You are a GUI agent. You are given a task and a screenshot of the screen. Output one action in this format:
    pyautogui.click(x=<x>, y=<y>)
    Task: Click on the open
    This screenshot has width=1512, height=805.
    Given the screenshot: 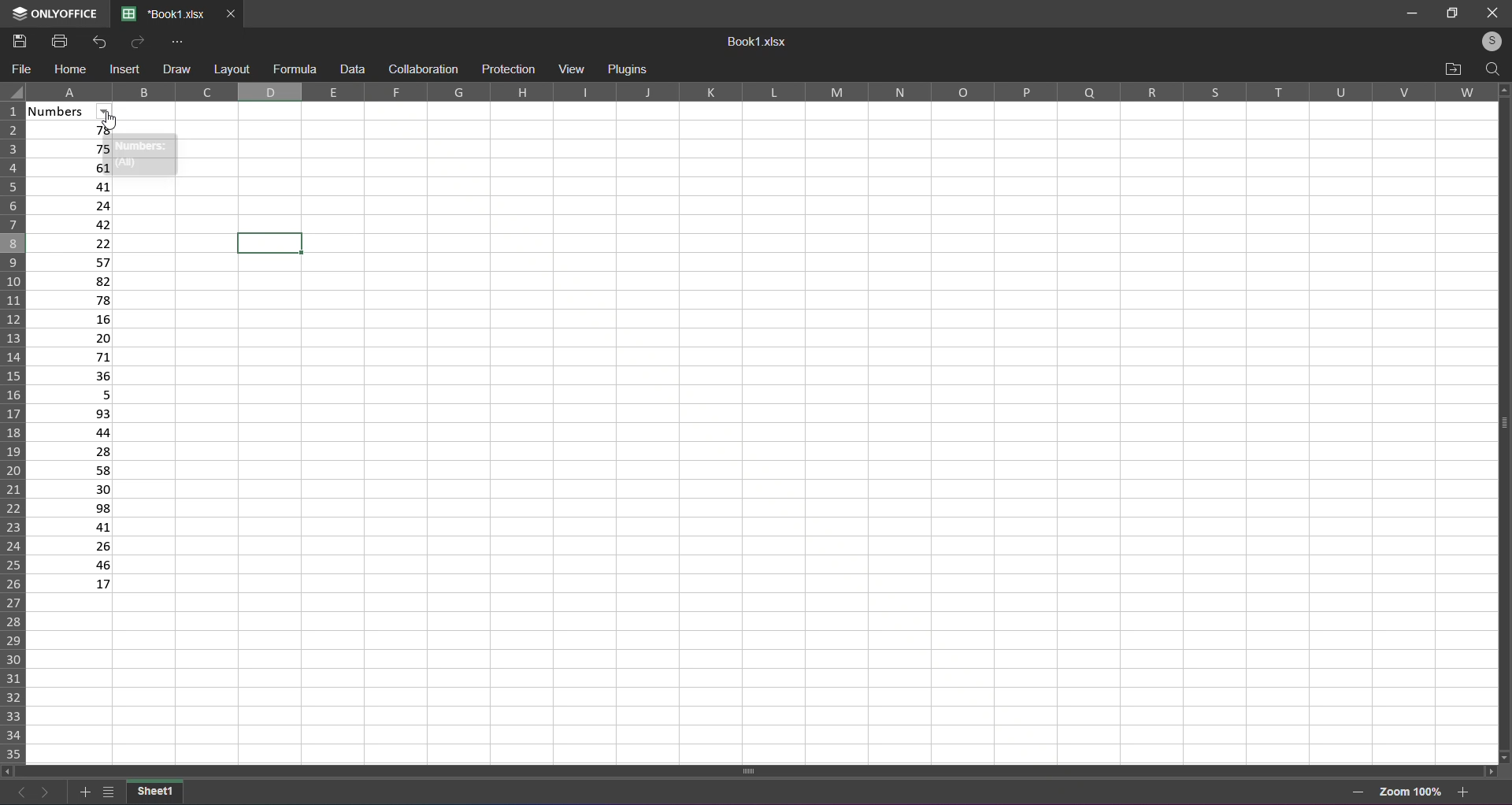 What is the action you would take?
    pyautogui.click(x=1454, y=69)
    